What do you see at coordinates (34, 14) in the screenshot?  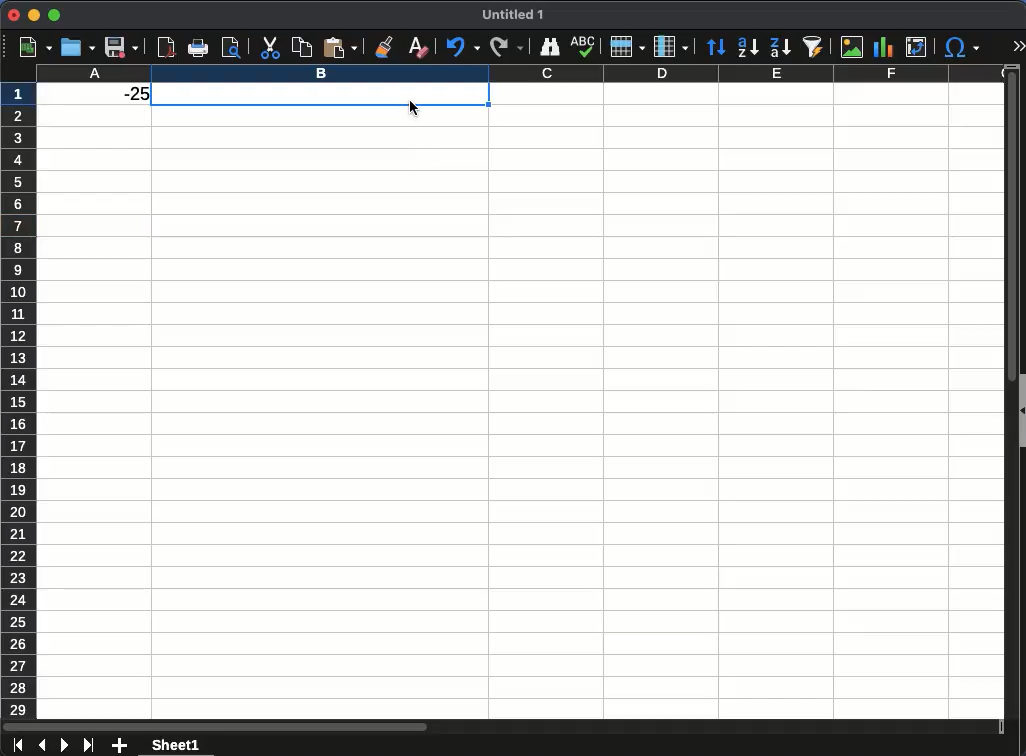 I see `minimize` at bounding box center [34, 14].